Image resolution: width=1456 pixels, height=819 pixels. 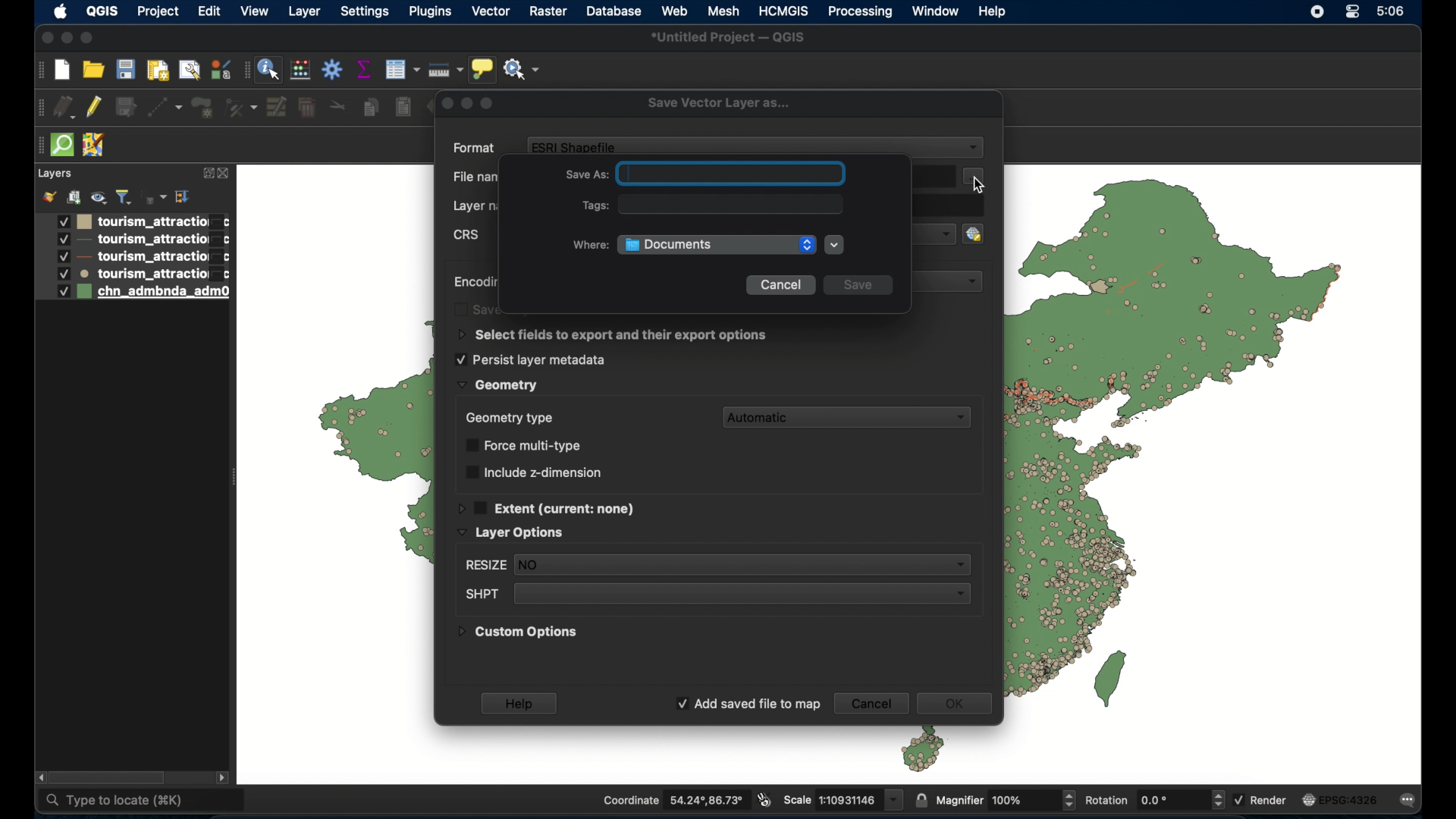 I want to click on close, so click(x=45, y=38).